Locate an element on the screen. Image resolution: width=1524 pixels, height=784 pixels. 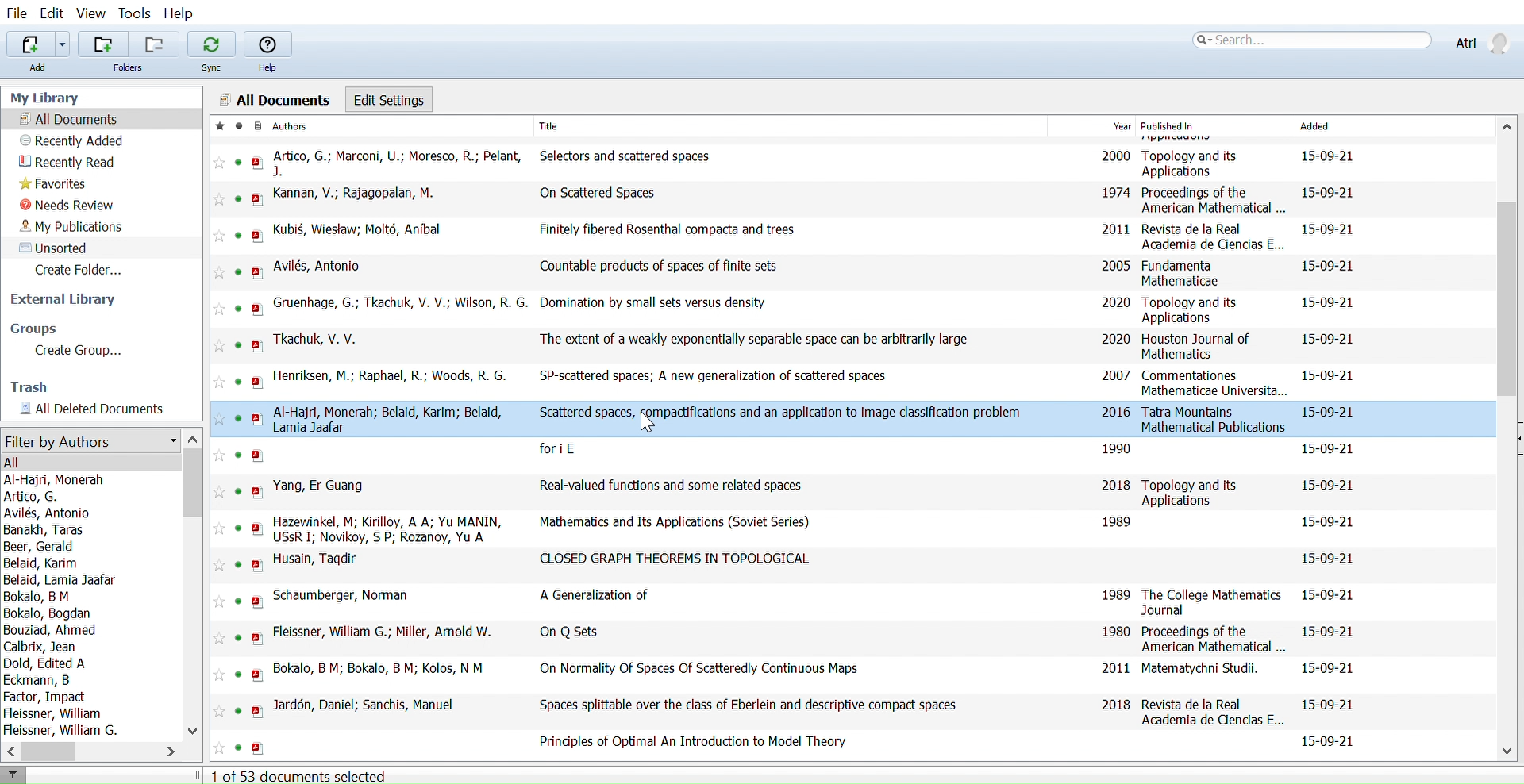
Artico, G. is located at coordinates (51, 495).